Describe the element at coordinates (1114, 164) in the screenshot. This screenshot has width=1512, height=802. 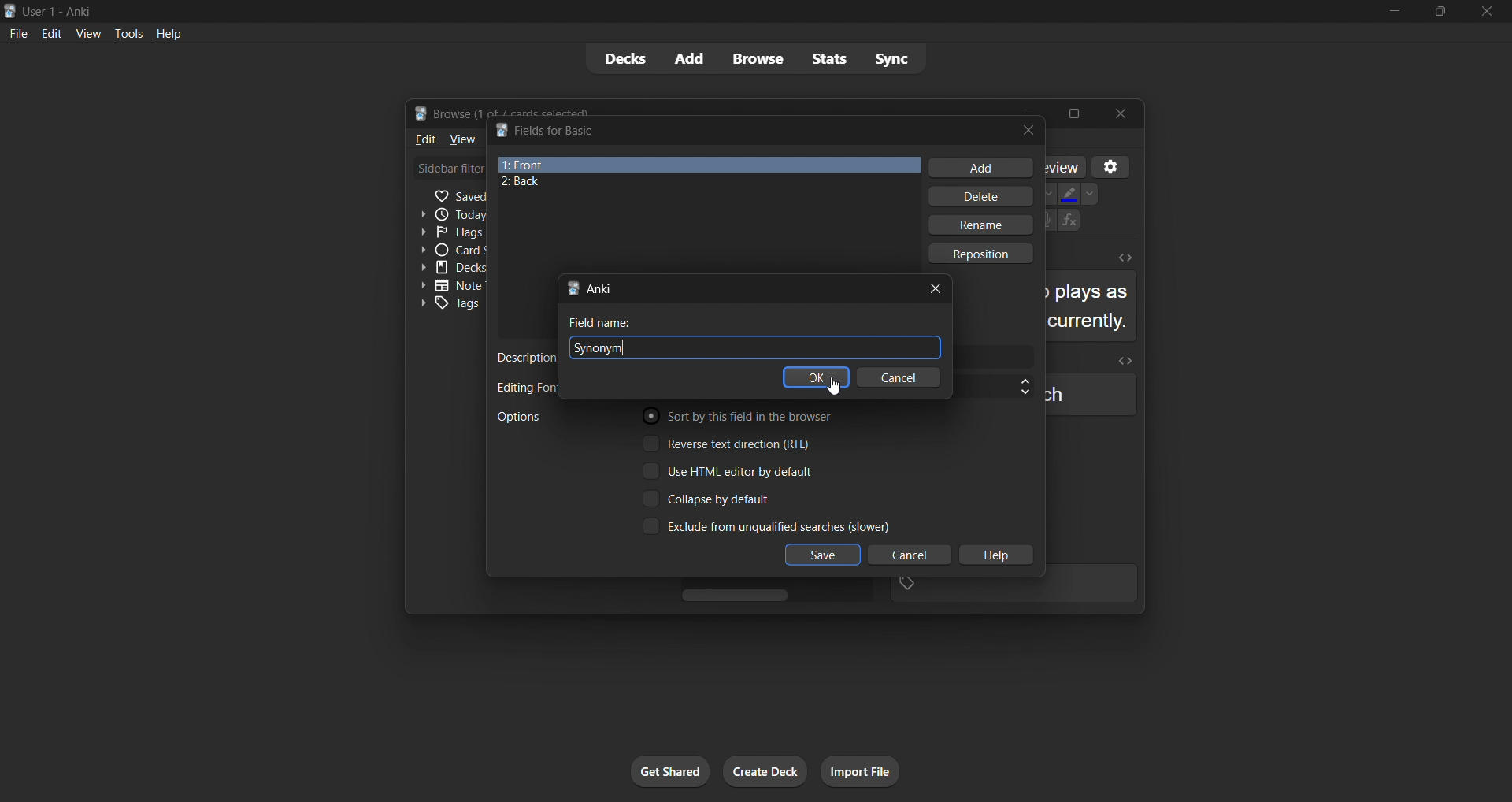
I see `Settings` at that location.